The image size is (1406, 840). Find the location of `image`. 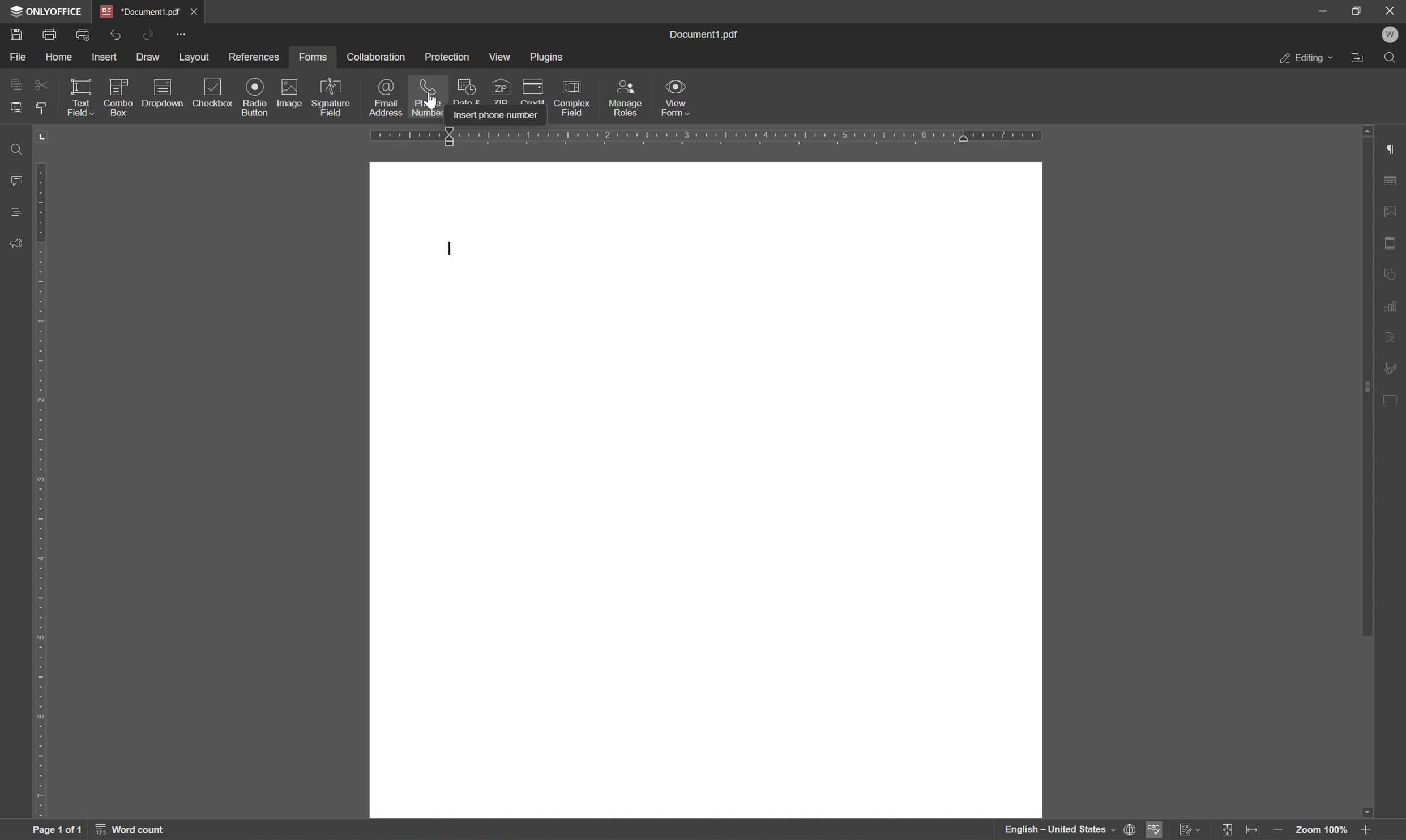

image is located at coordinates (292, 95).